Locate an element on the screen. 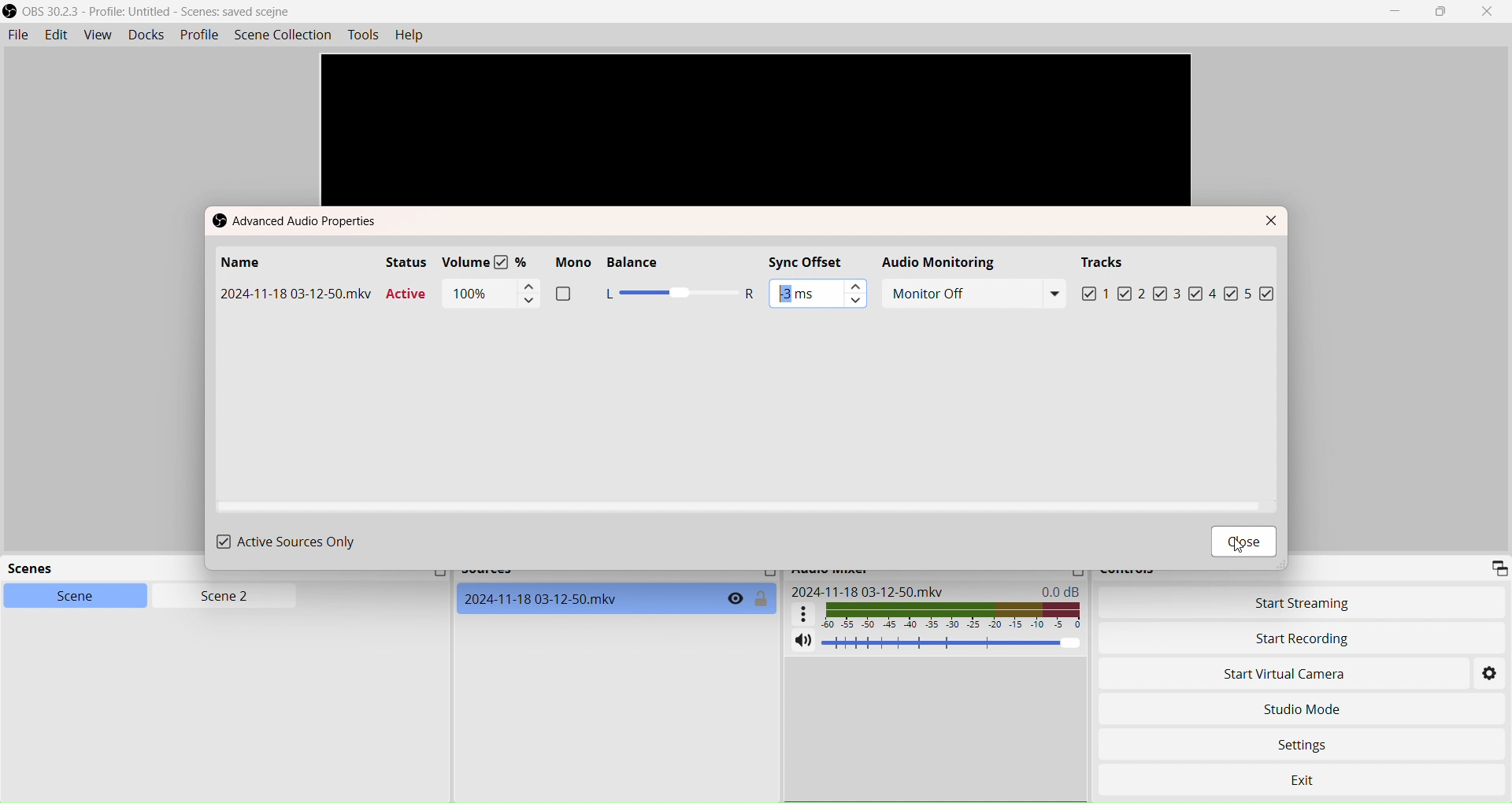 The height and width of the screenshot is (803, 1512). Mute/Unmute is located at coordinates (802, 642).